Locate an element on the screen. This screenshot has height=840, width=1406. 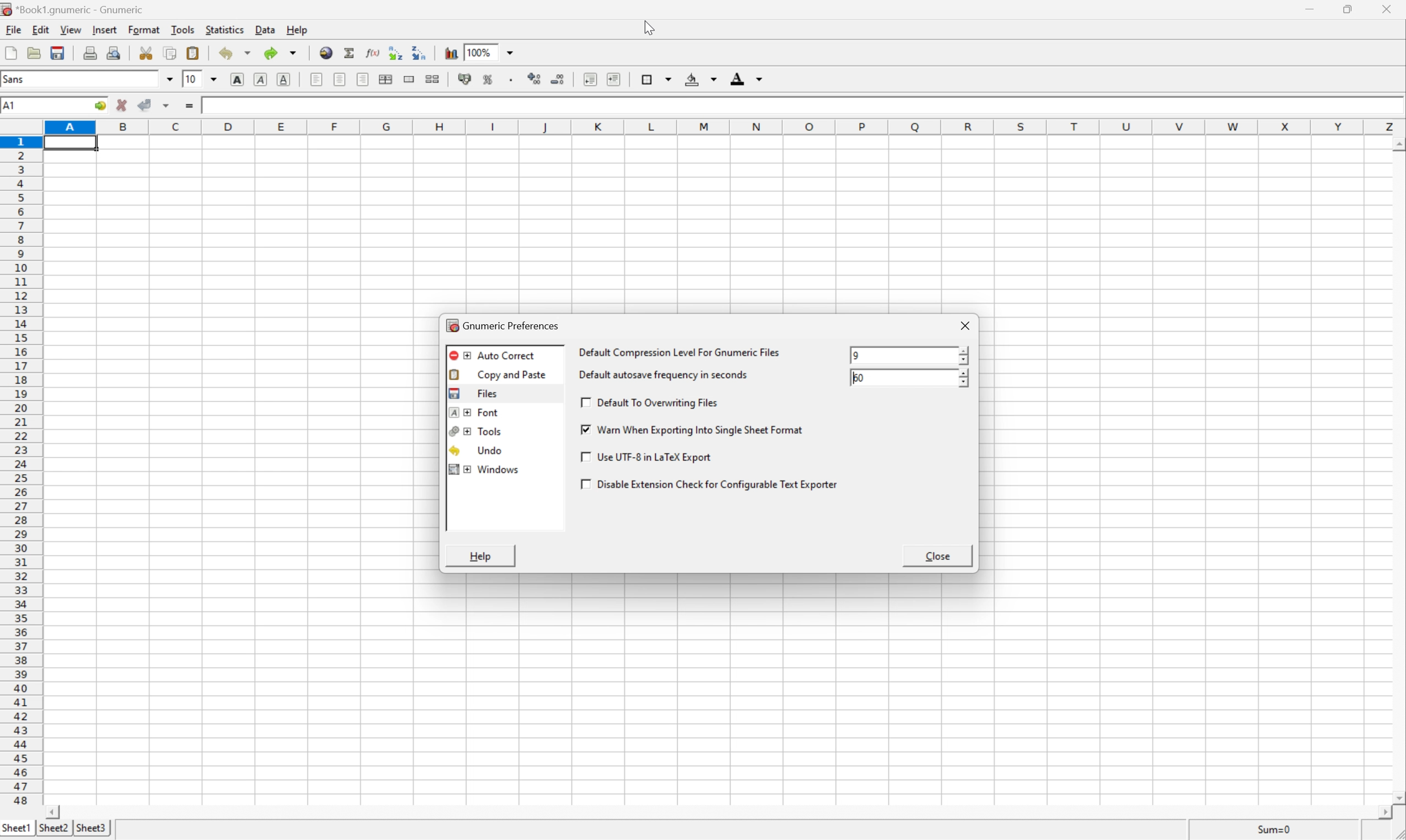
scroll left is located at coordinates (68, 813).